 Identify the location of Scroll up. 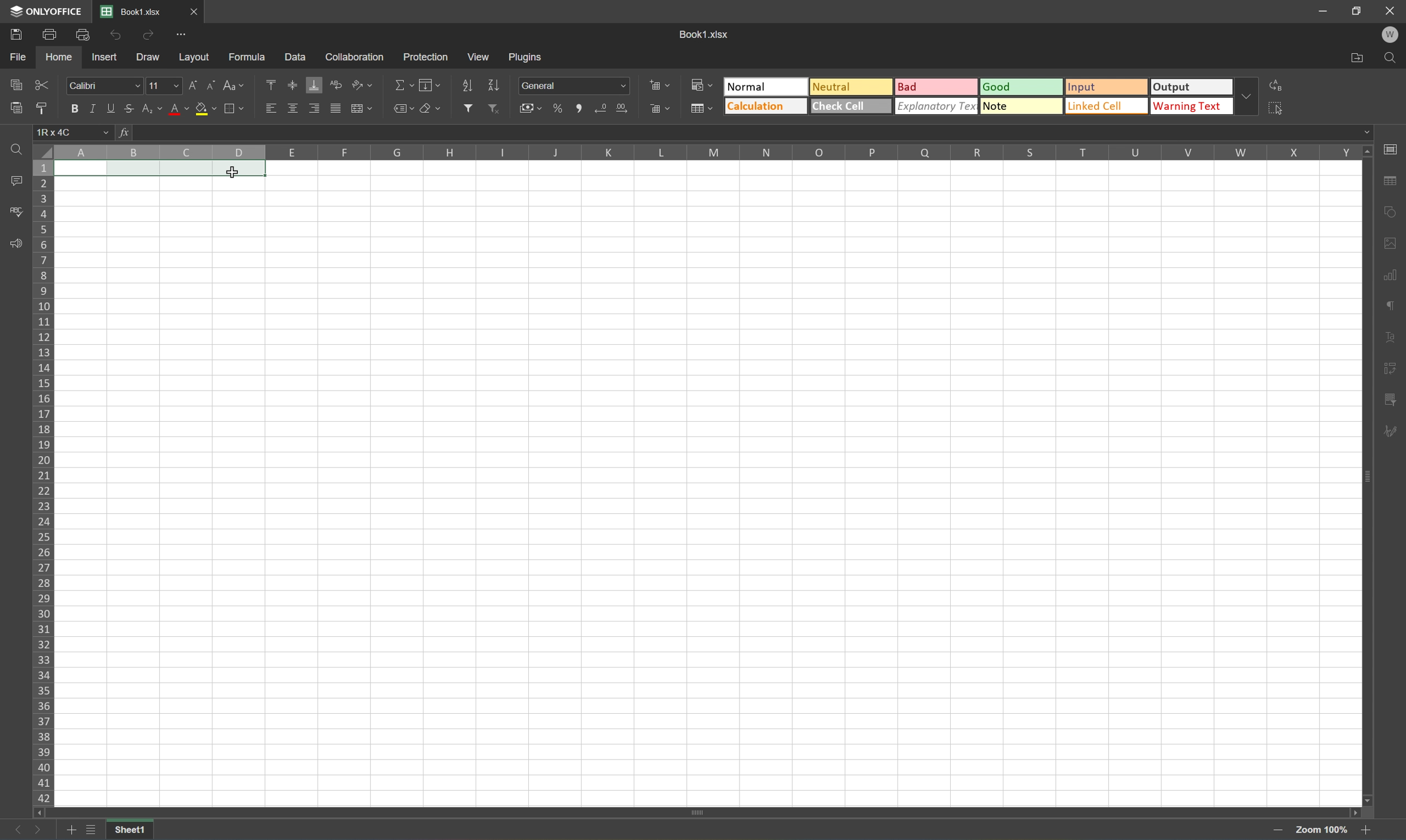
(1367, 152).